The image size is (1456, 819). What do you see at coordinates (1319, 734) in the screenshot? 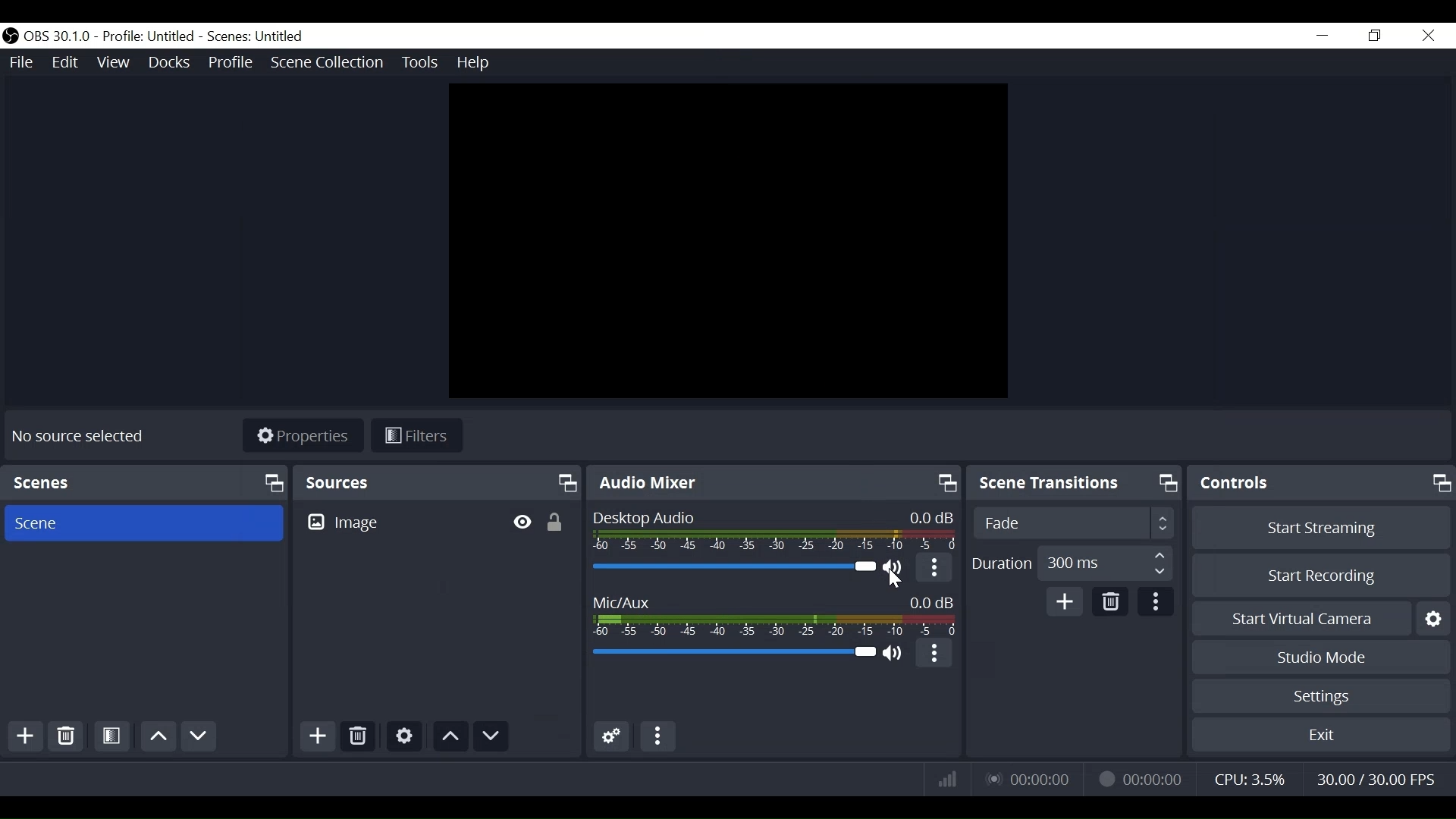
I see `Exit` at bounding box center [1319, 734].